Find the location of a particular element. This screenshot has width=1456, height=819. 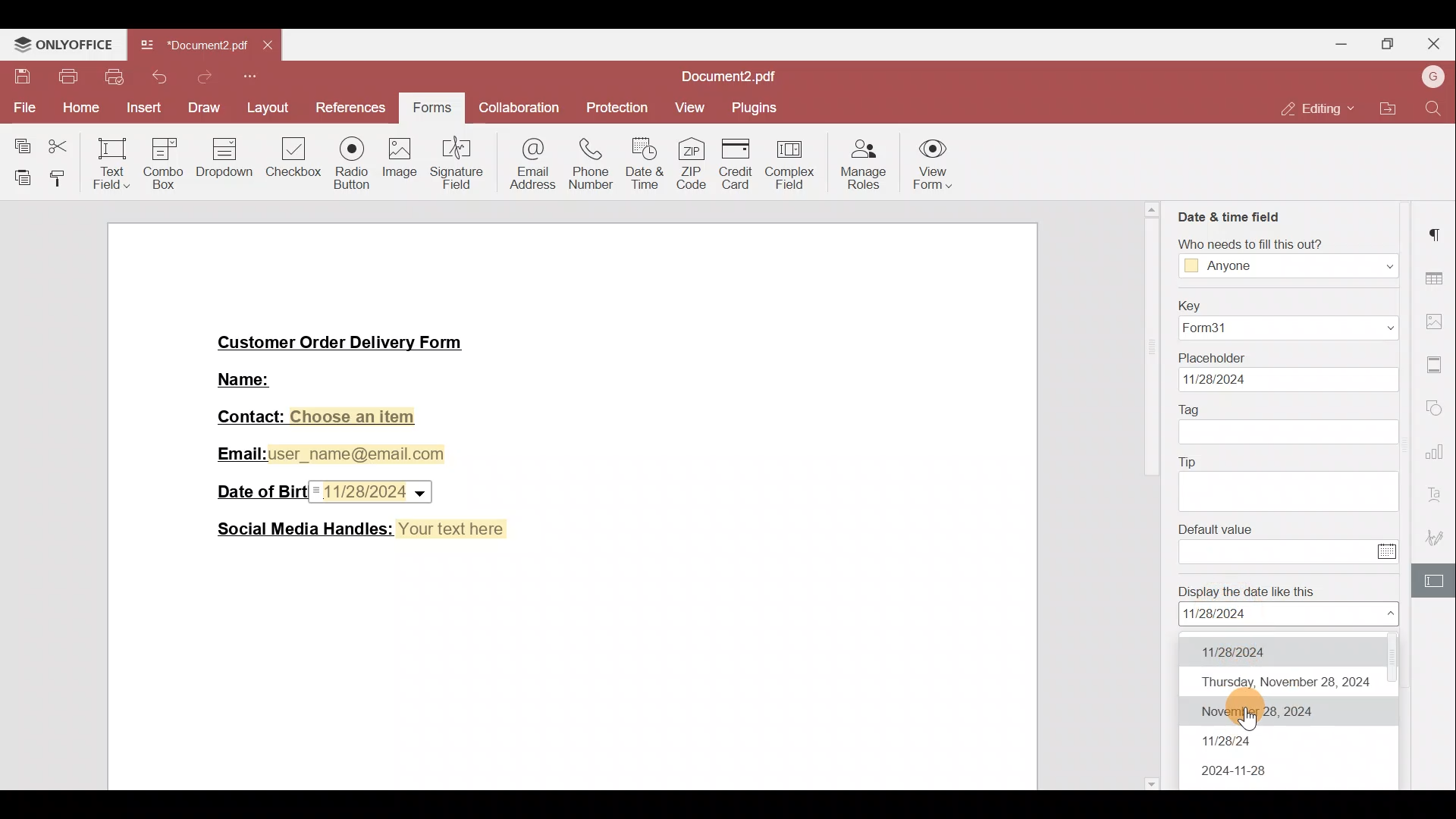

Redo is located at coordinates (199, 81).